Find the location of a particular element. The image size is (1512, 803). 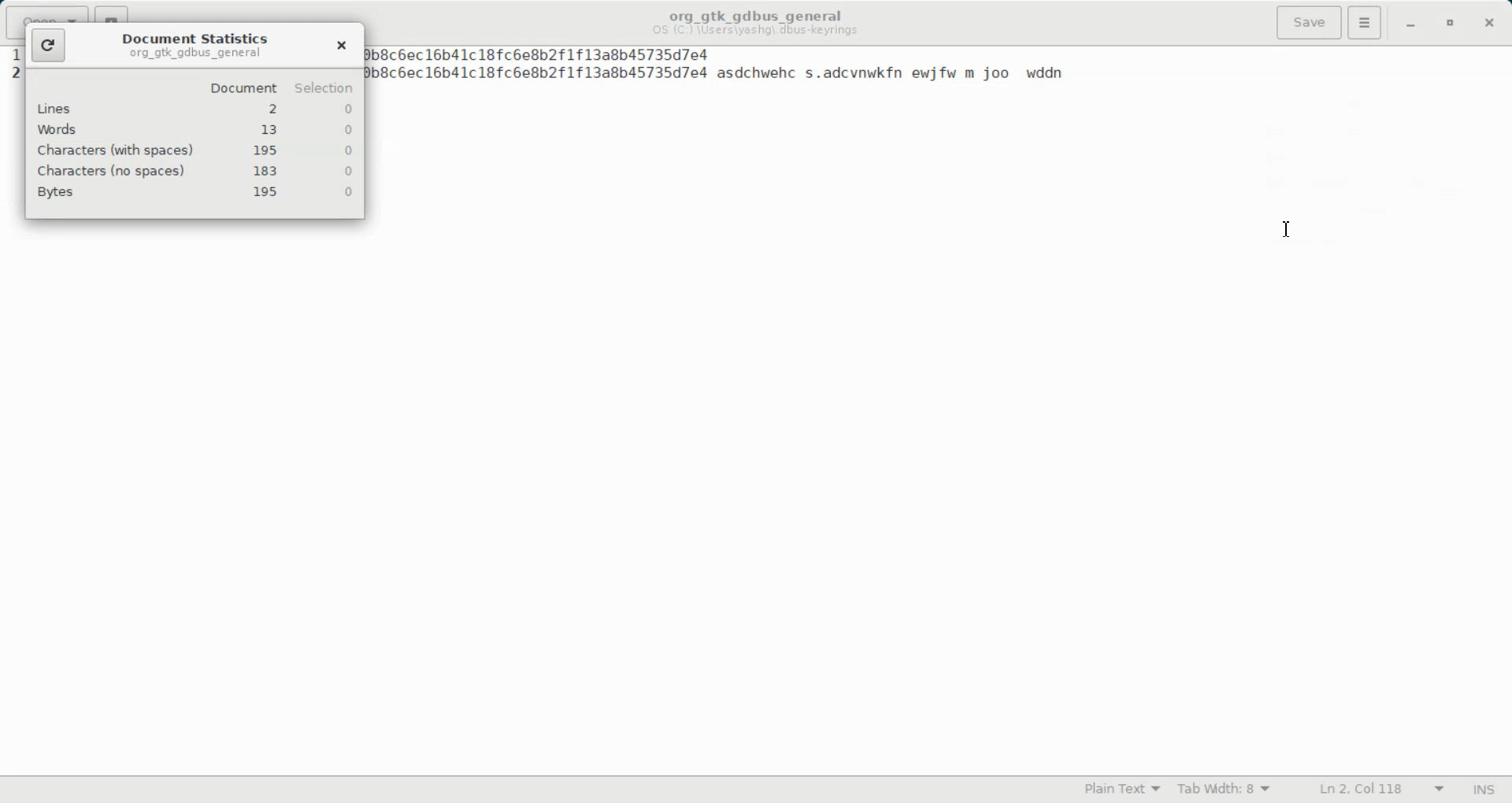

0 is located at coordinates (350, 150).